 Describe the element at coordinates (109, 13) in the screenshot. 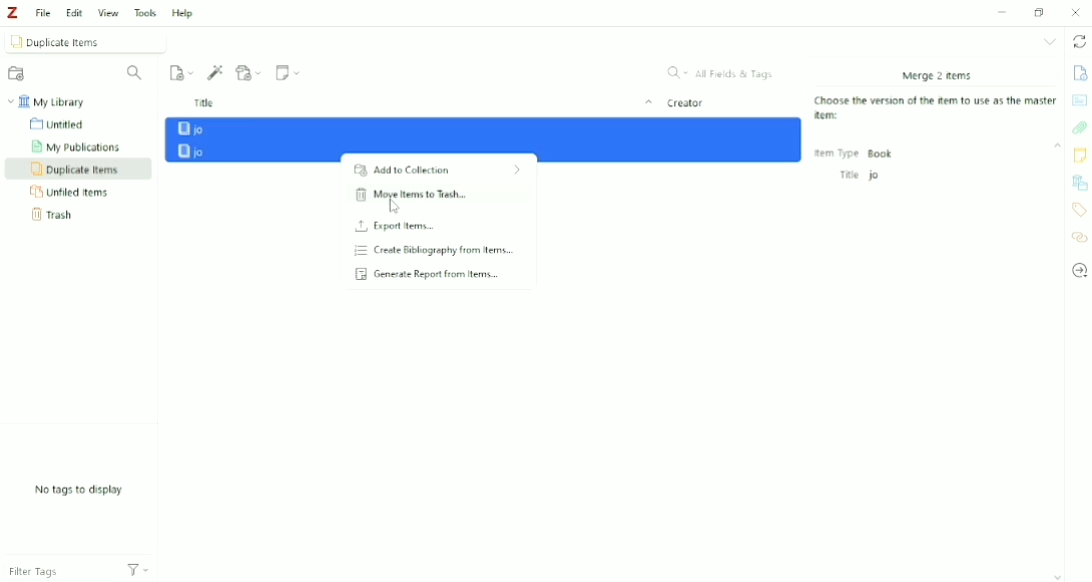

I see `View` at that location.